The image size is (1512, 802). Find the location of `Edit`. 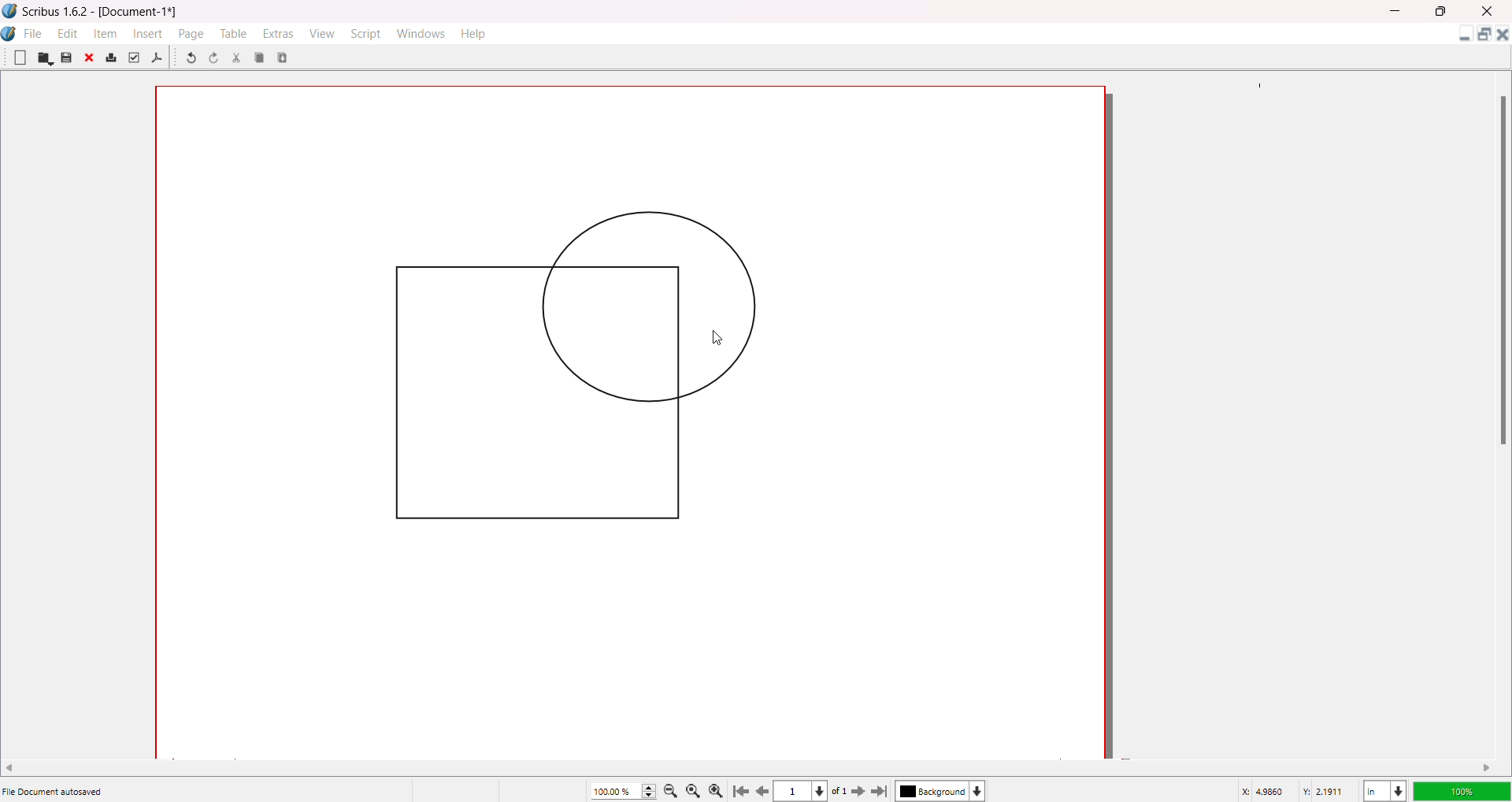

Edit is located at coordinates (68, 32).